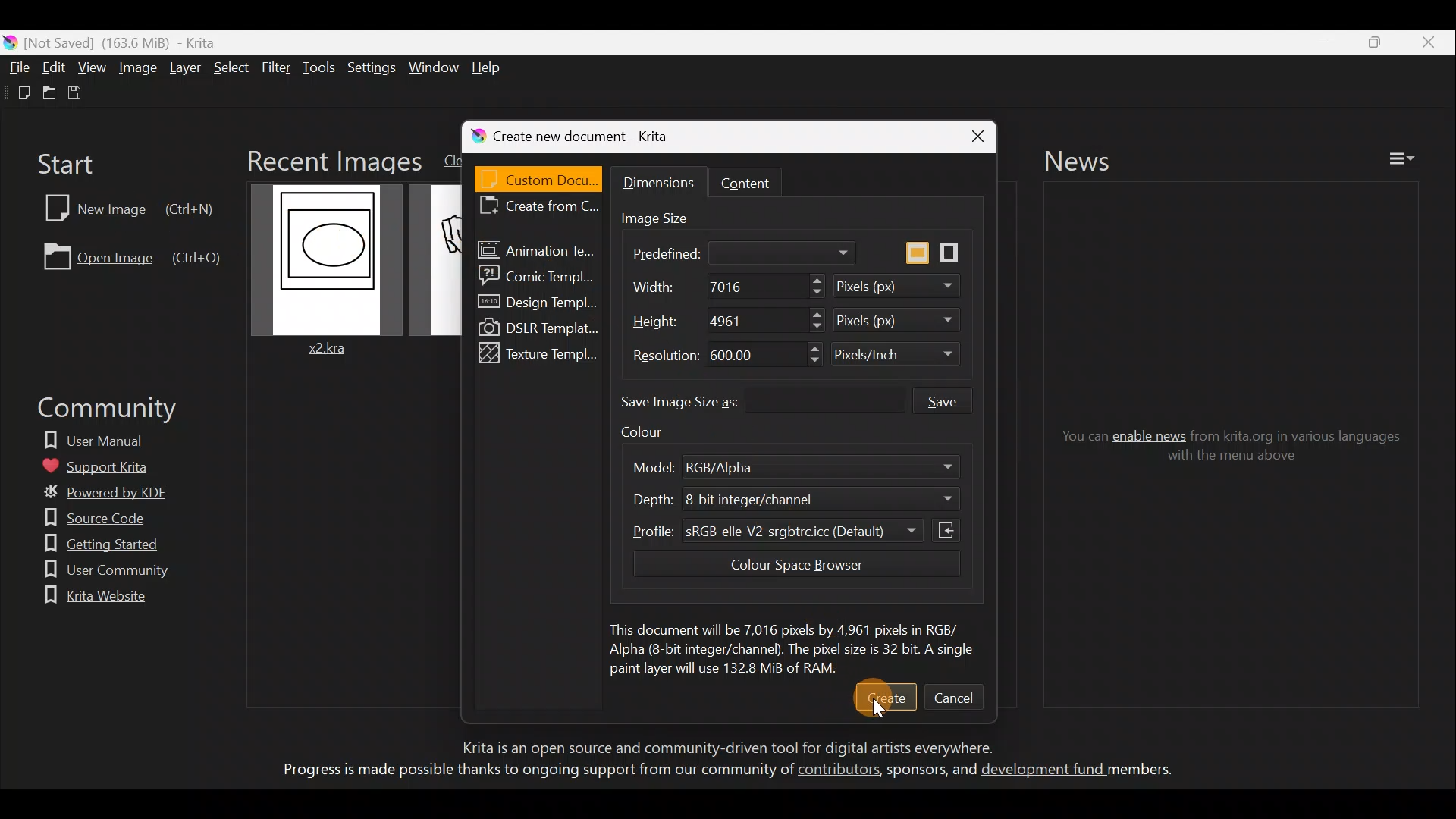 The height and width of the screenshot is (819, 1456). What do you see at coordinates (736, 251) in the screenshot?
I see `Predefined` at bounding box center [736, 251].